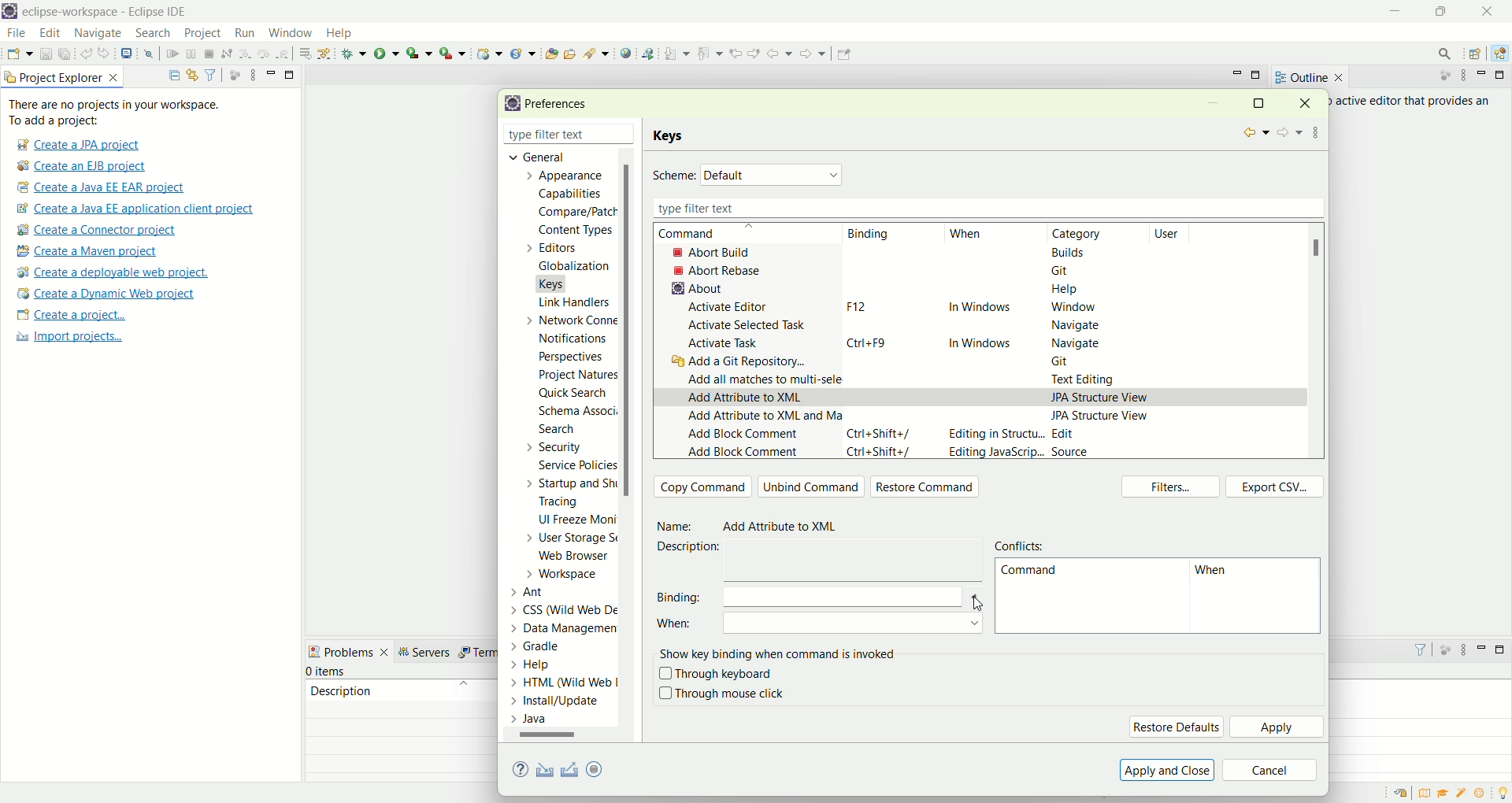 Image resolution: width=1512 pixels, height=803 pixels. What do you see at coordinates (1443, 794) in the screenshot?
I see `tutorials` at bounding box center [1443, 794].